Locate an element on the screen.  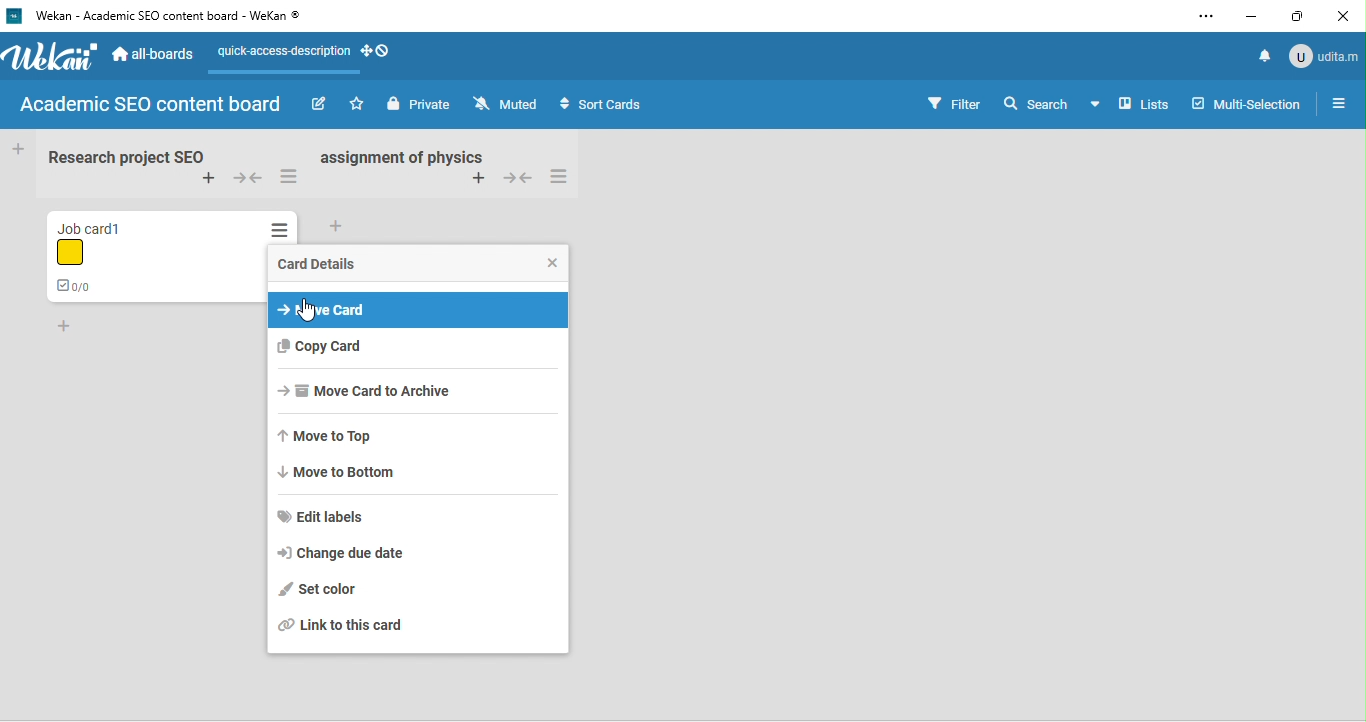
close is located at coordinates (1351, 15).